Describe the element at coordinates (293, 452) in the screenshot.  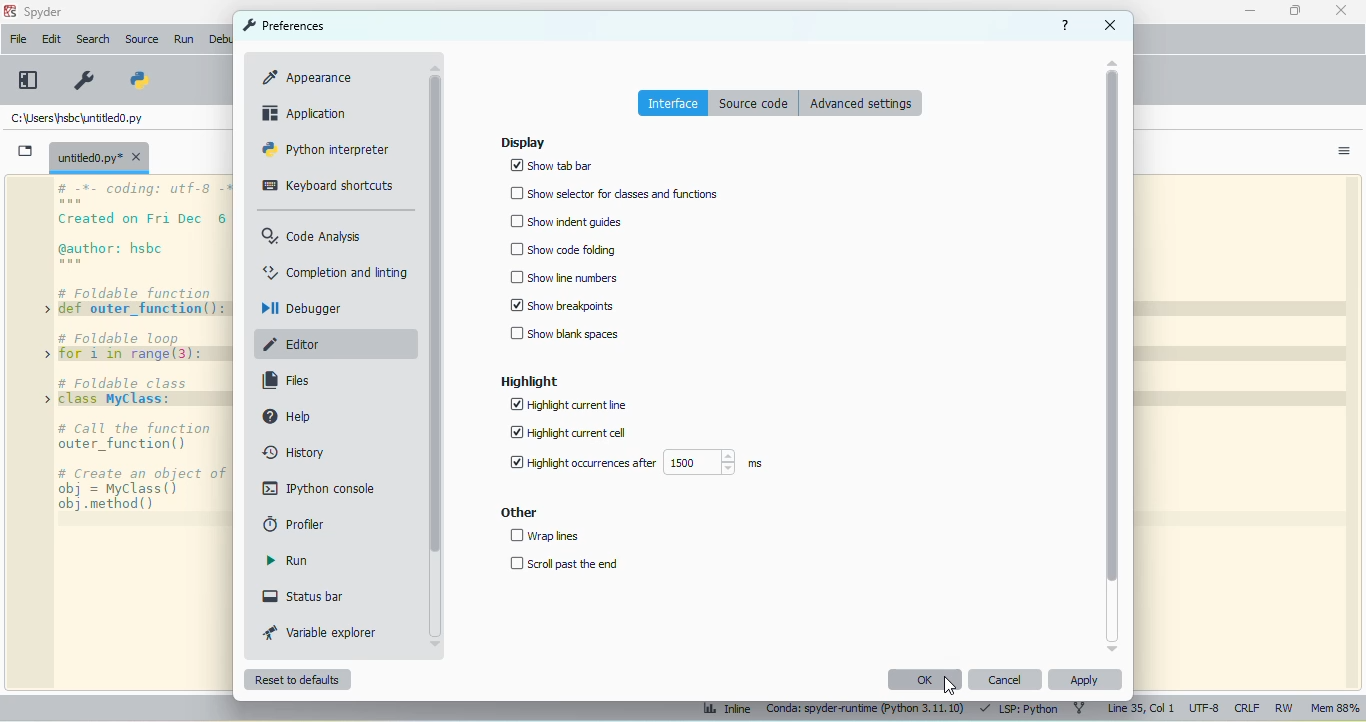
I see `history` at that location.